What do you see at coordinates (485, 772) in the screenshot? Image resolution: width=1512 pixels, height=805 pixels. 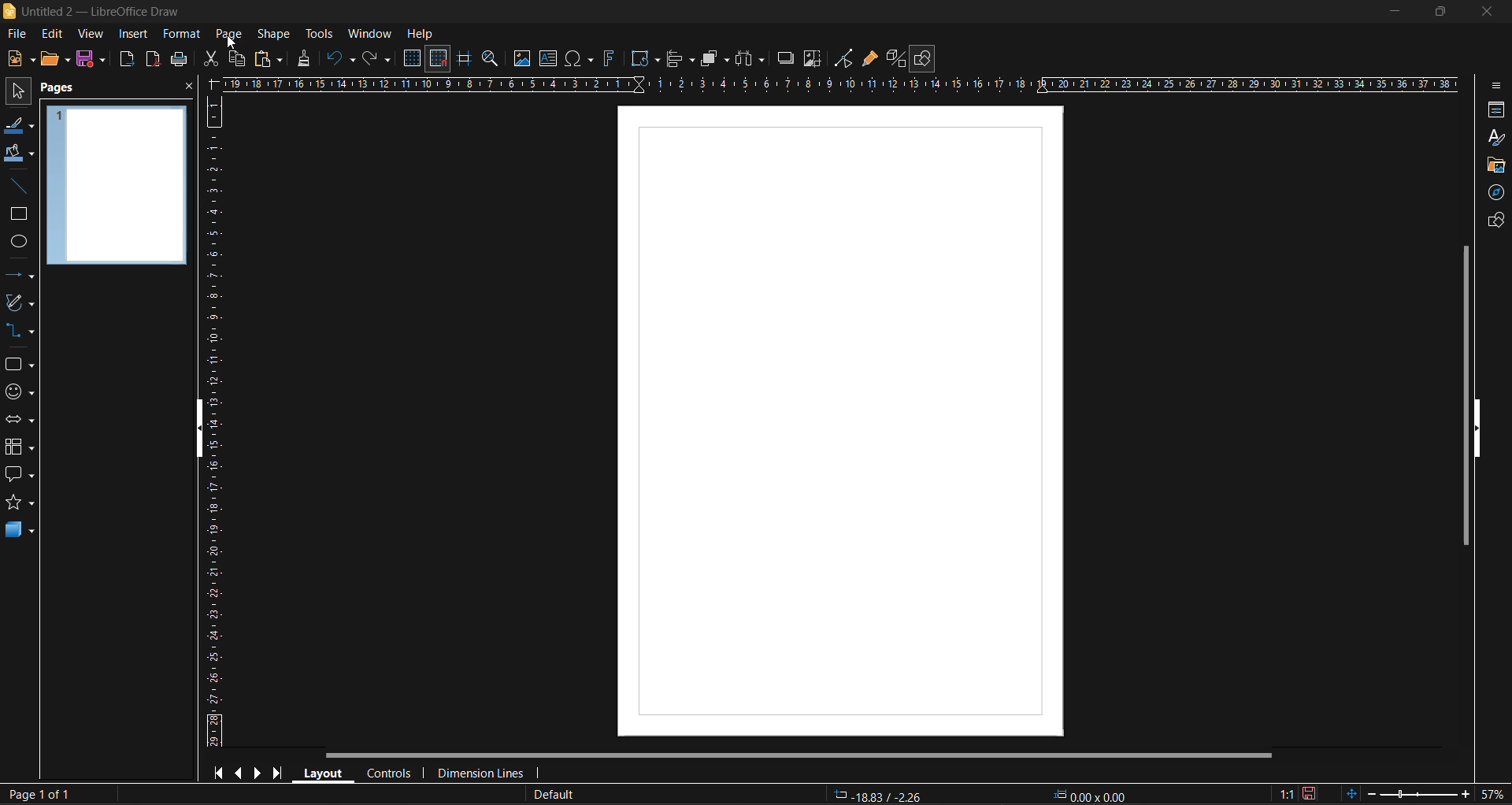 I see `dimension lines` at bounding box center [485, 772].